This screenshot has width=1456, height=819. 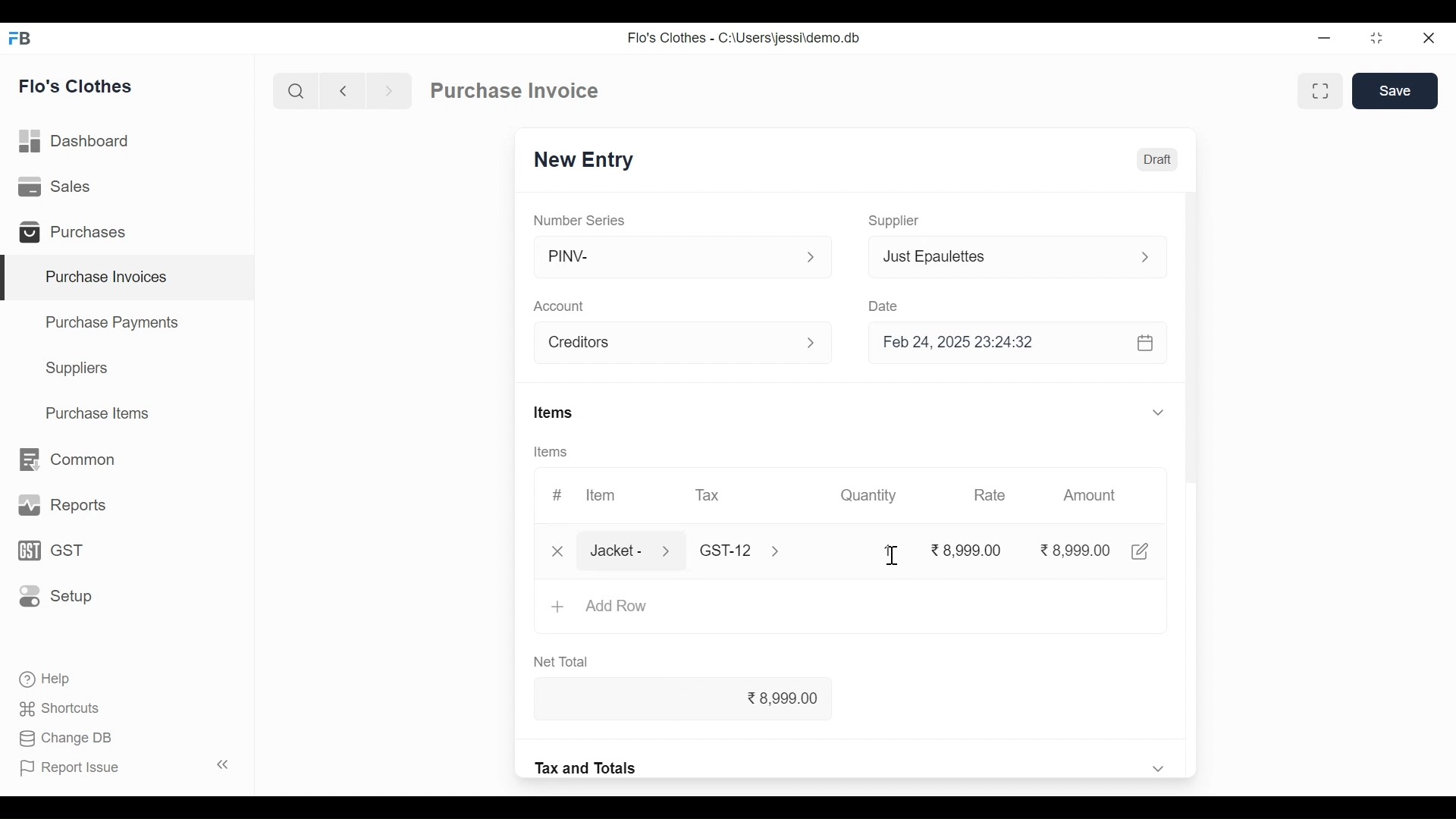 I want to click on Cursor, so click(x=890, y=556).